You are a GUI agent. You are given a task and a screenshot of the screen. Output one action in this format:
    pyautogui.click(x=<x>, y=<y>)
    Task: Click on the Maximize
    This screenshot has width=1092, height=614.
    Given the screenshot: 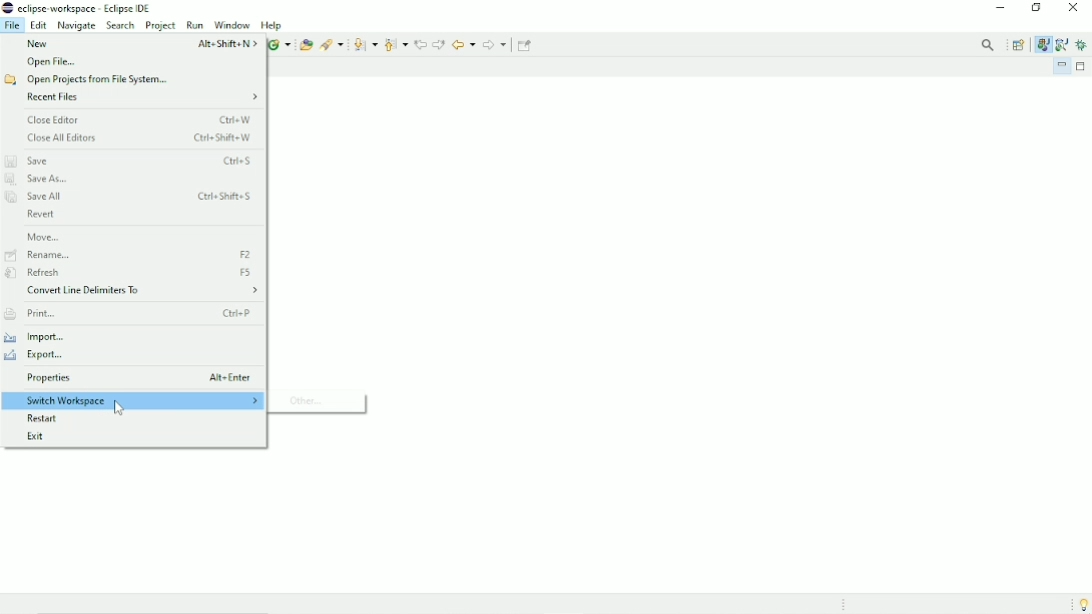 What is the action you would take?
    pyautogui.click(x=1083, y=67)
    